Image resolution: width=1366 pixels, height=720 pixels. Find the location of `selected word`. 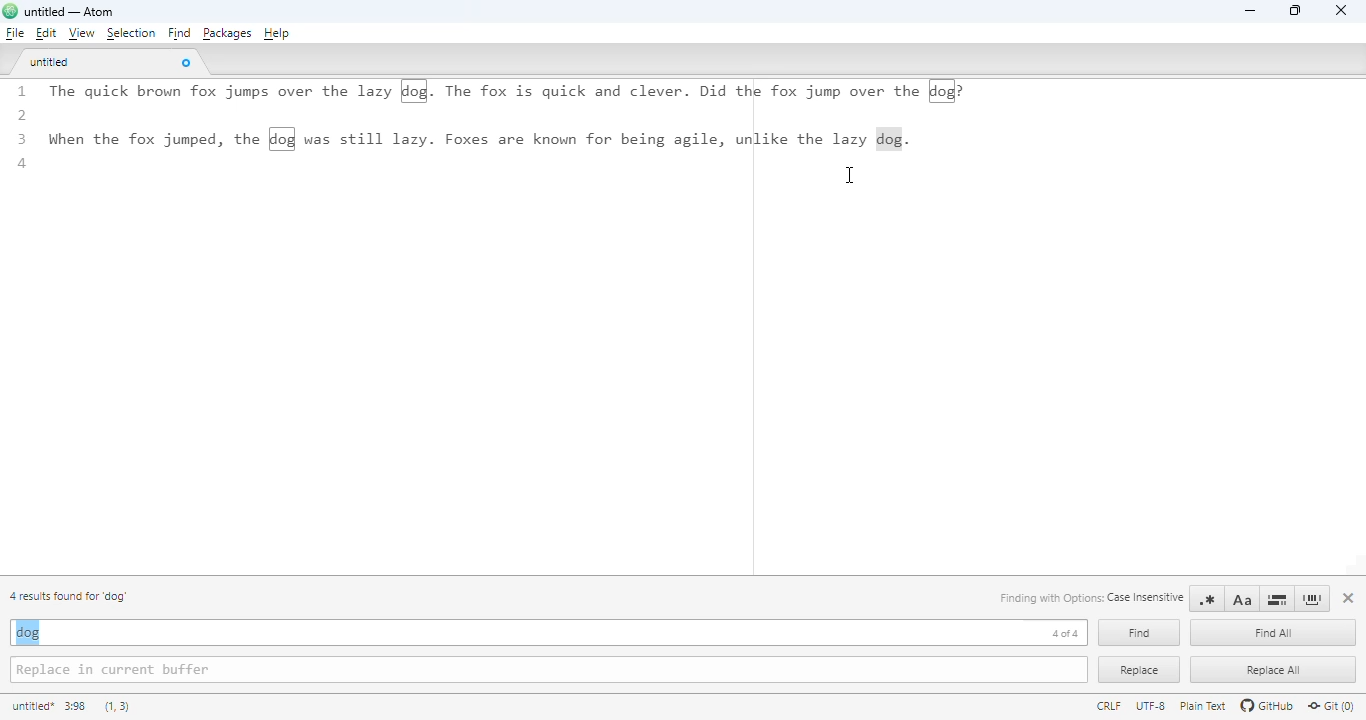

selected word is located at coordinates (890, 139).